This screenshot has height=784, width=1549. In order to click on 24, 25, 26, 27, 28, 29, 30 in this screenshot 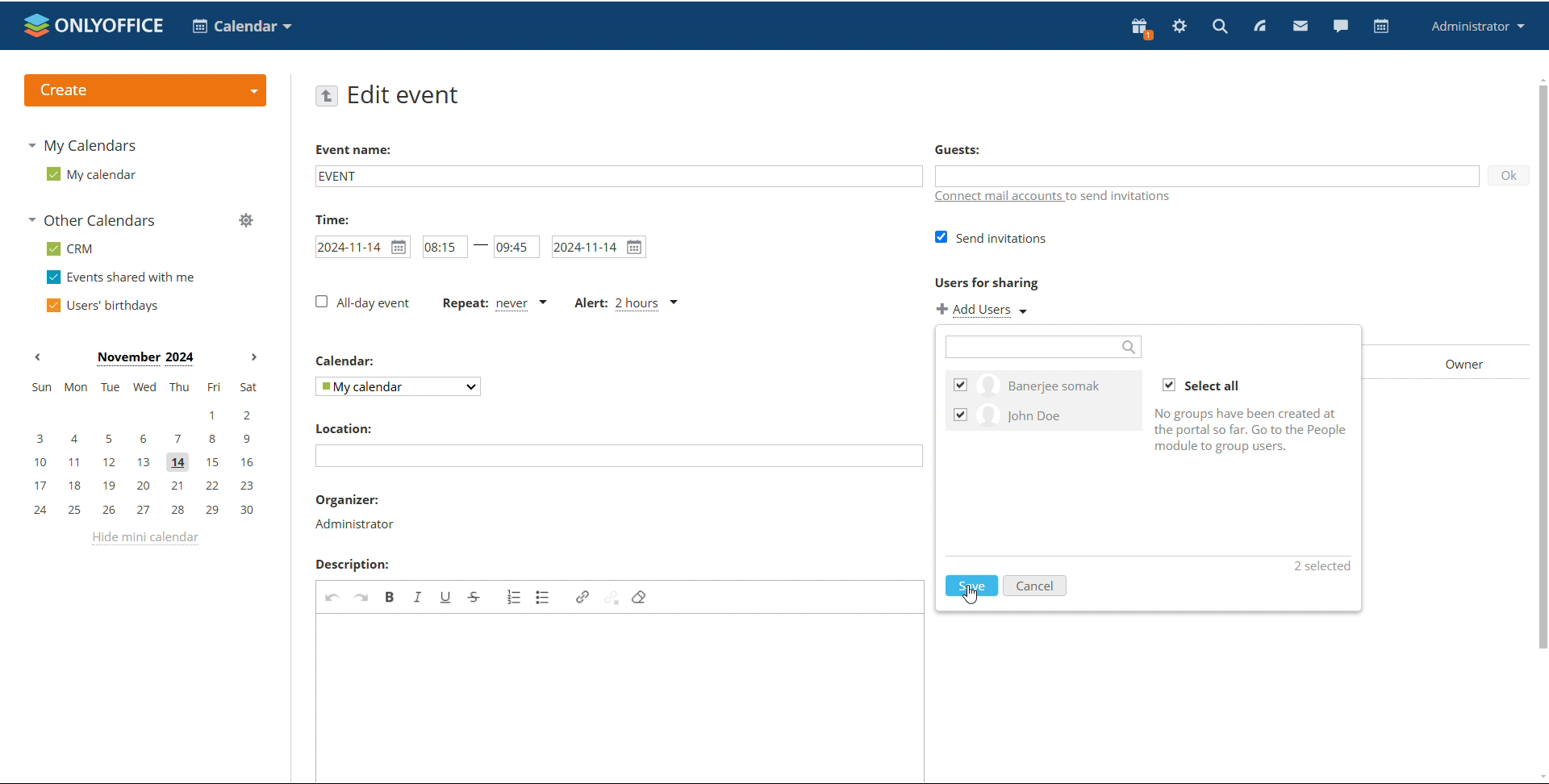, I will do `click(143, 509)`.